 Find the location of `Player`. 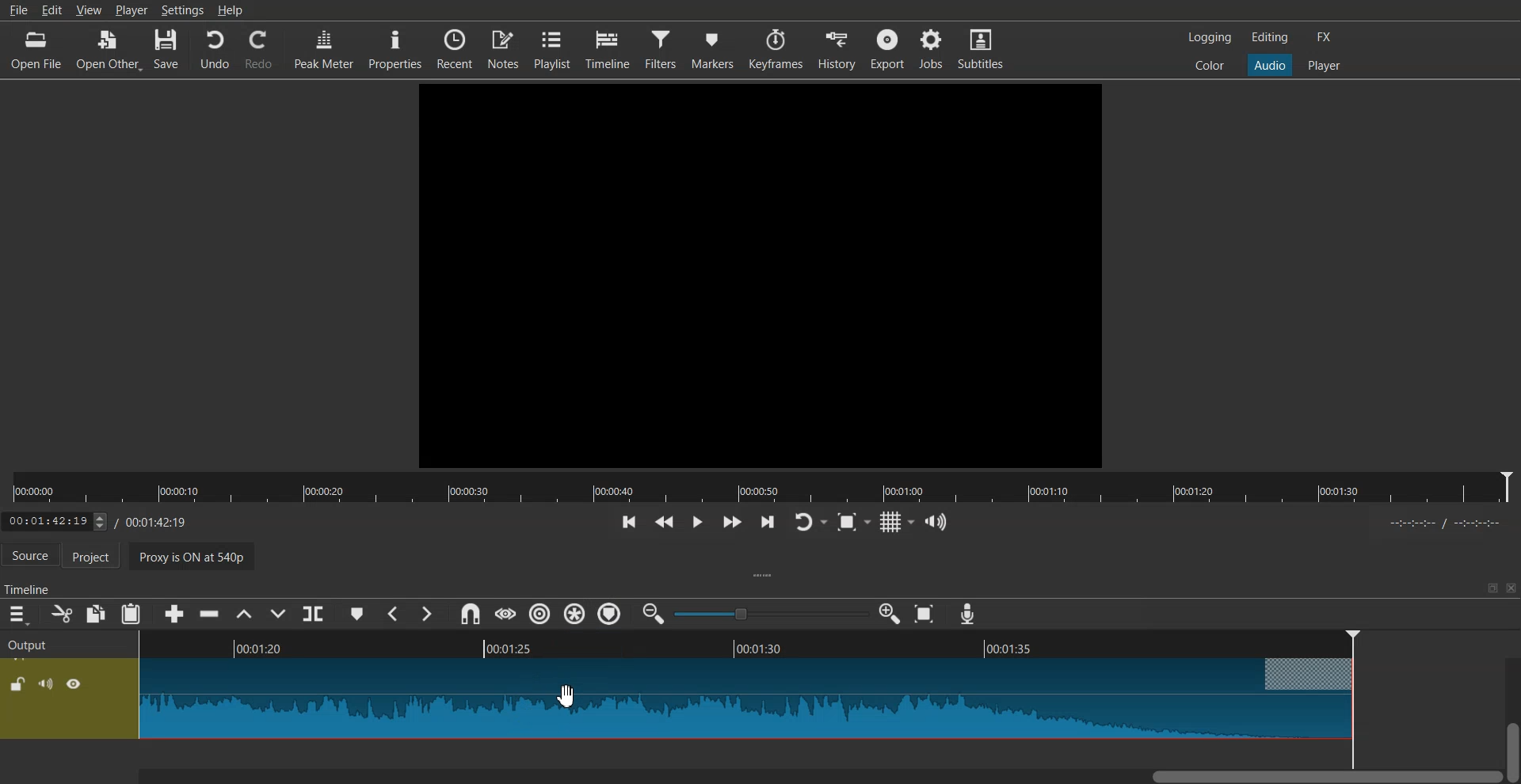

Player is located at coordinates (131, 10).